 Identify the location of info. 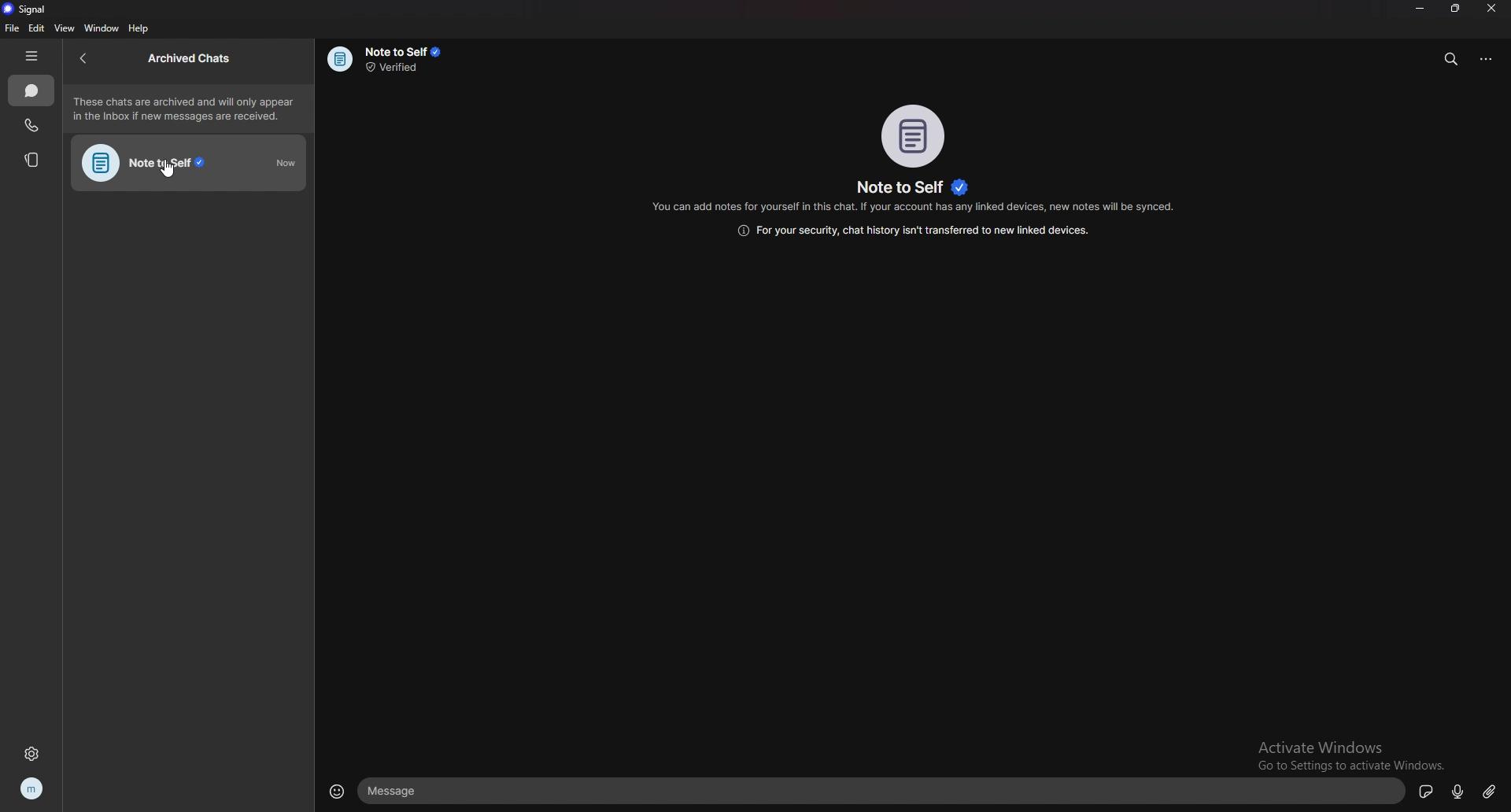
(188, 109).